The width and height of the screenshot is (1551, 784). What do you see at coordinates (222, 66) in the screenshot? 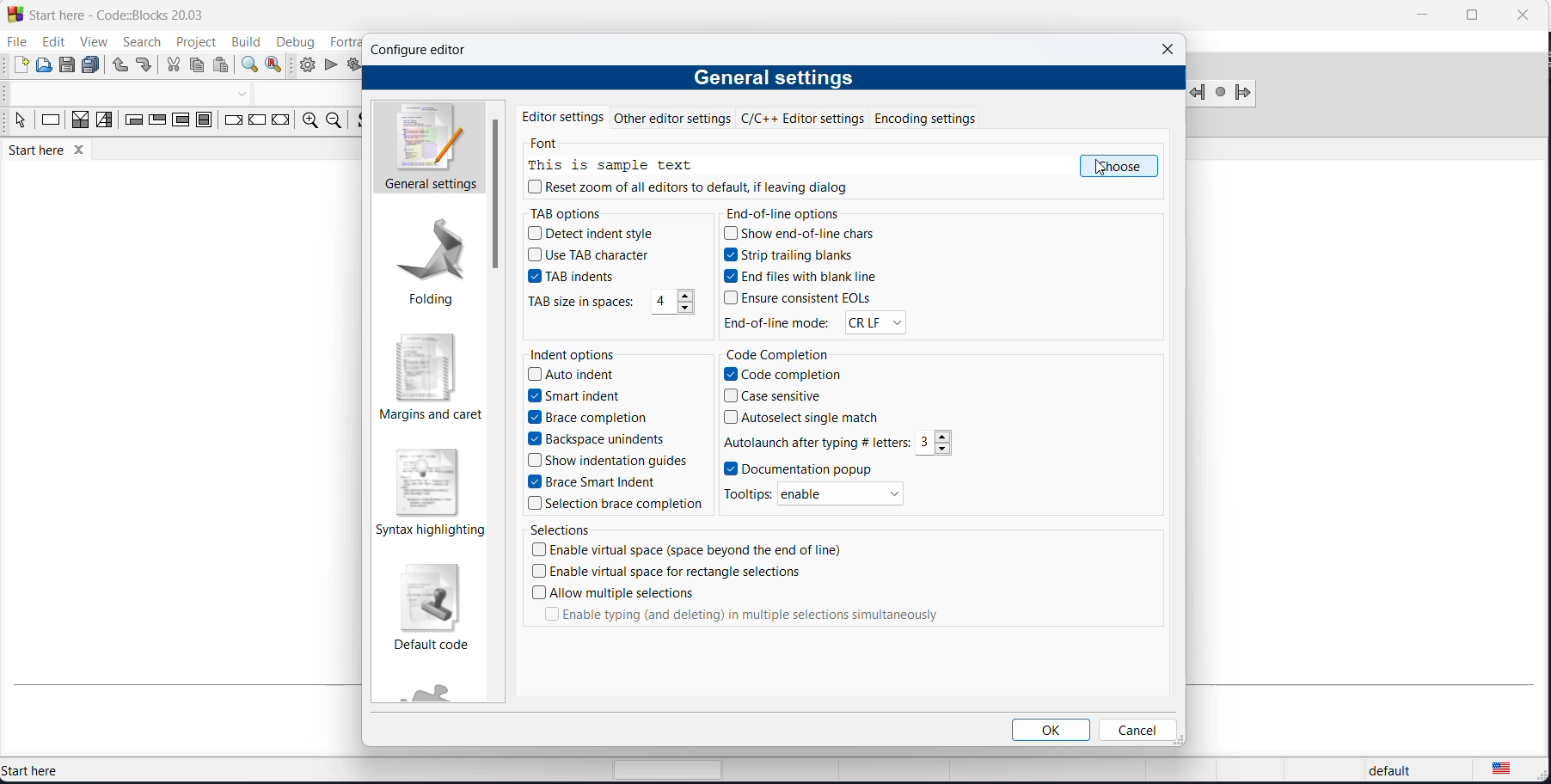
I see `paste` at bounding box center [222, 66].